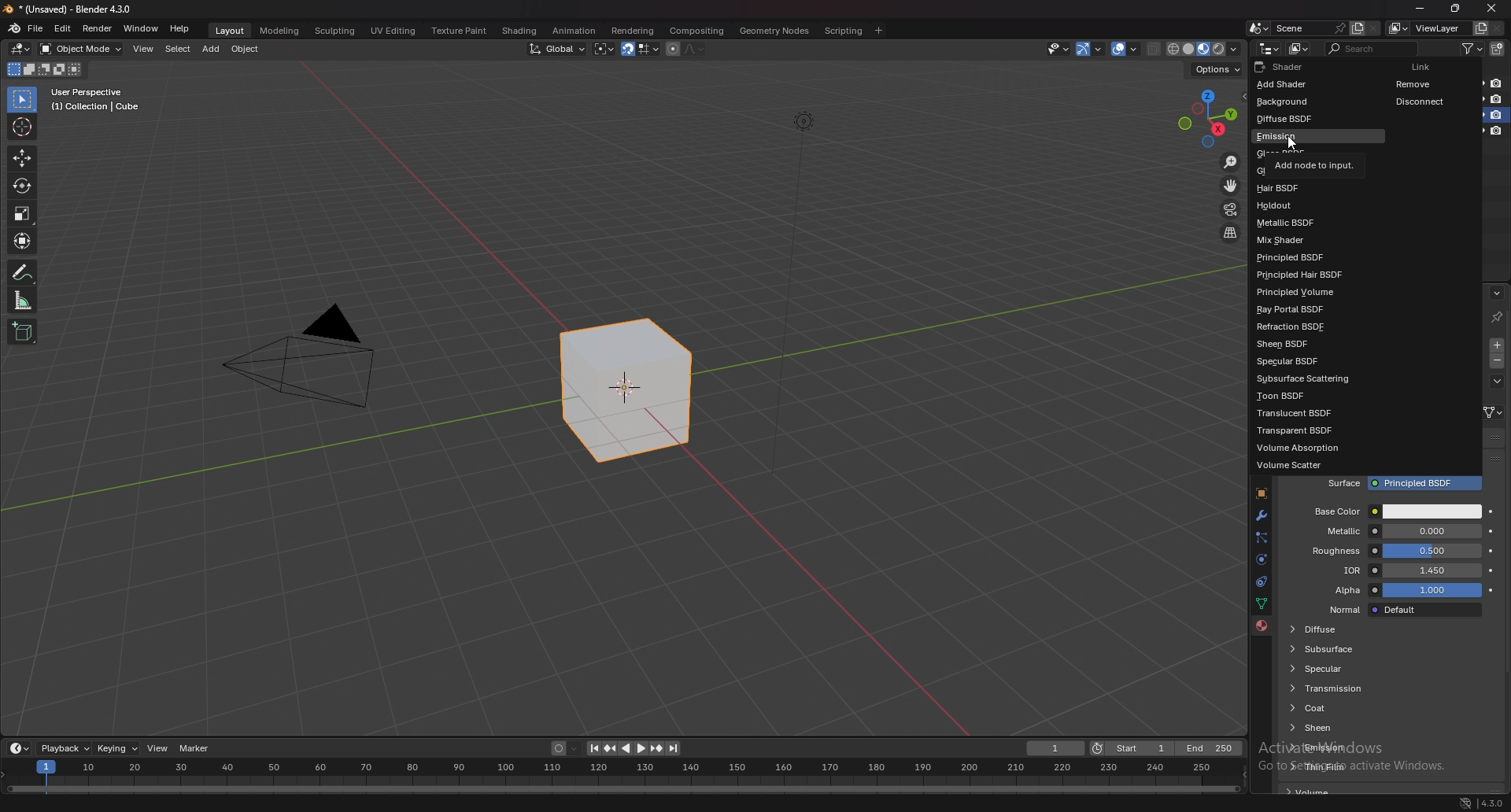 The image size is (1511, 812). I want to click on view, so click(145, 49).